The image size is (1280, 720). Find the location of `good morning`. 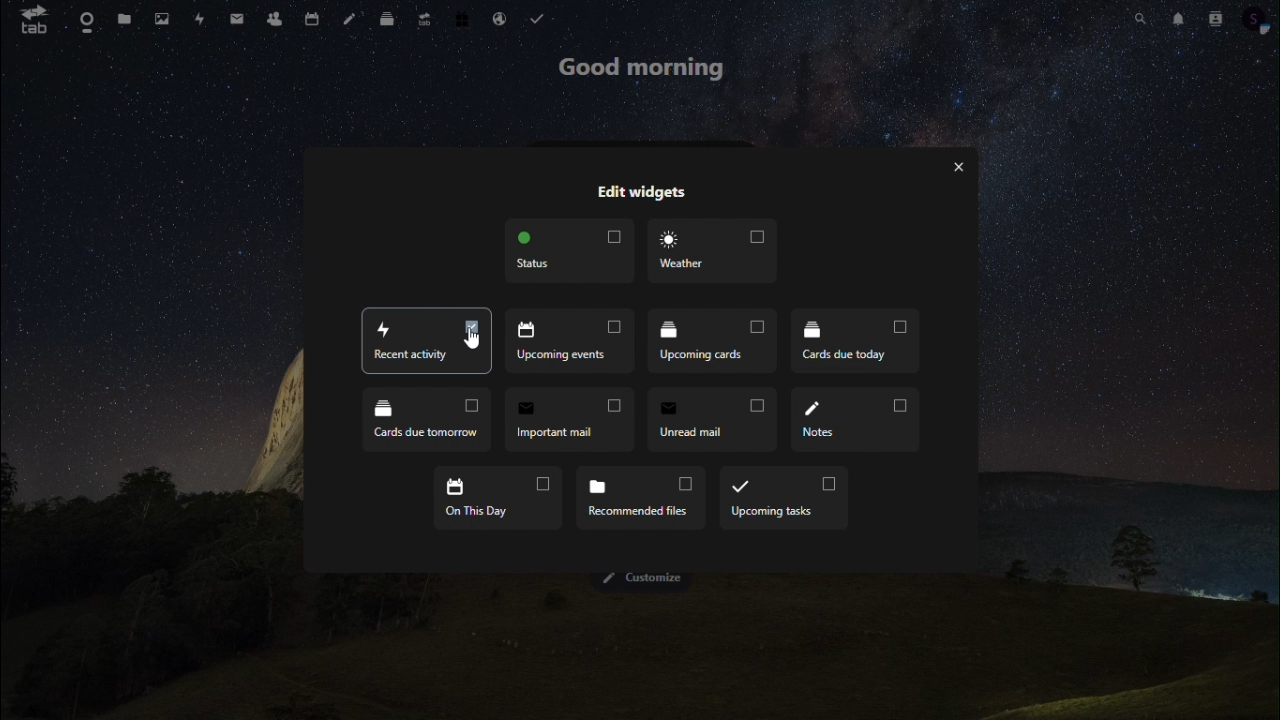

good morning is located at coordinates (644, 72).